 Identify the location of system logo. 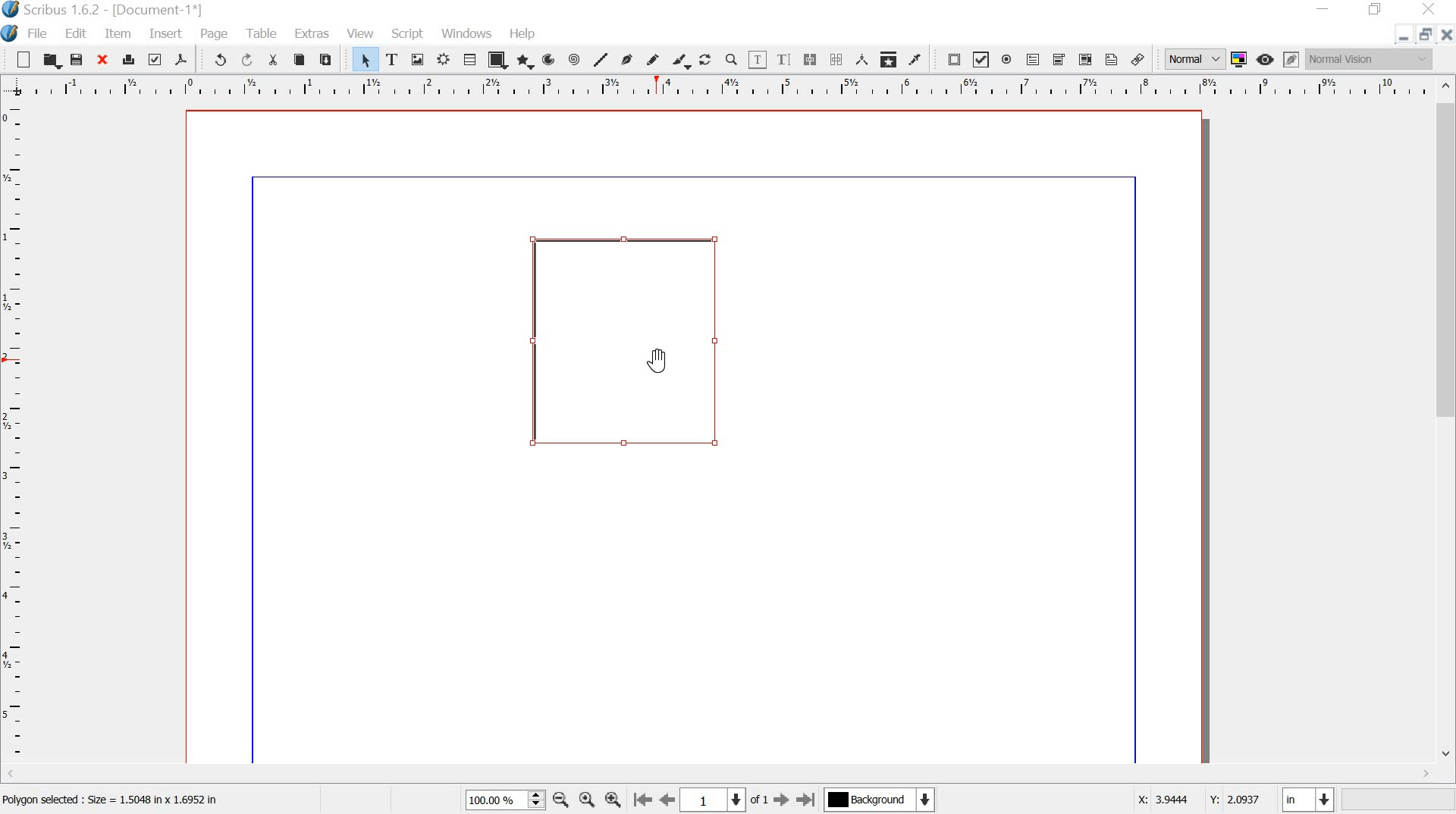
(11, 33).